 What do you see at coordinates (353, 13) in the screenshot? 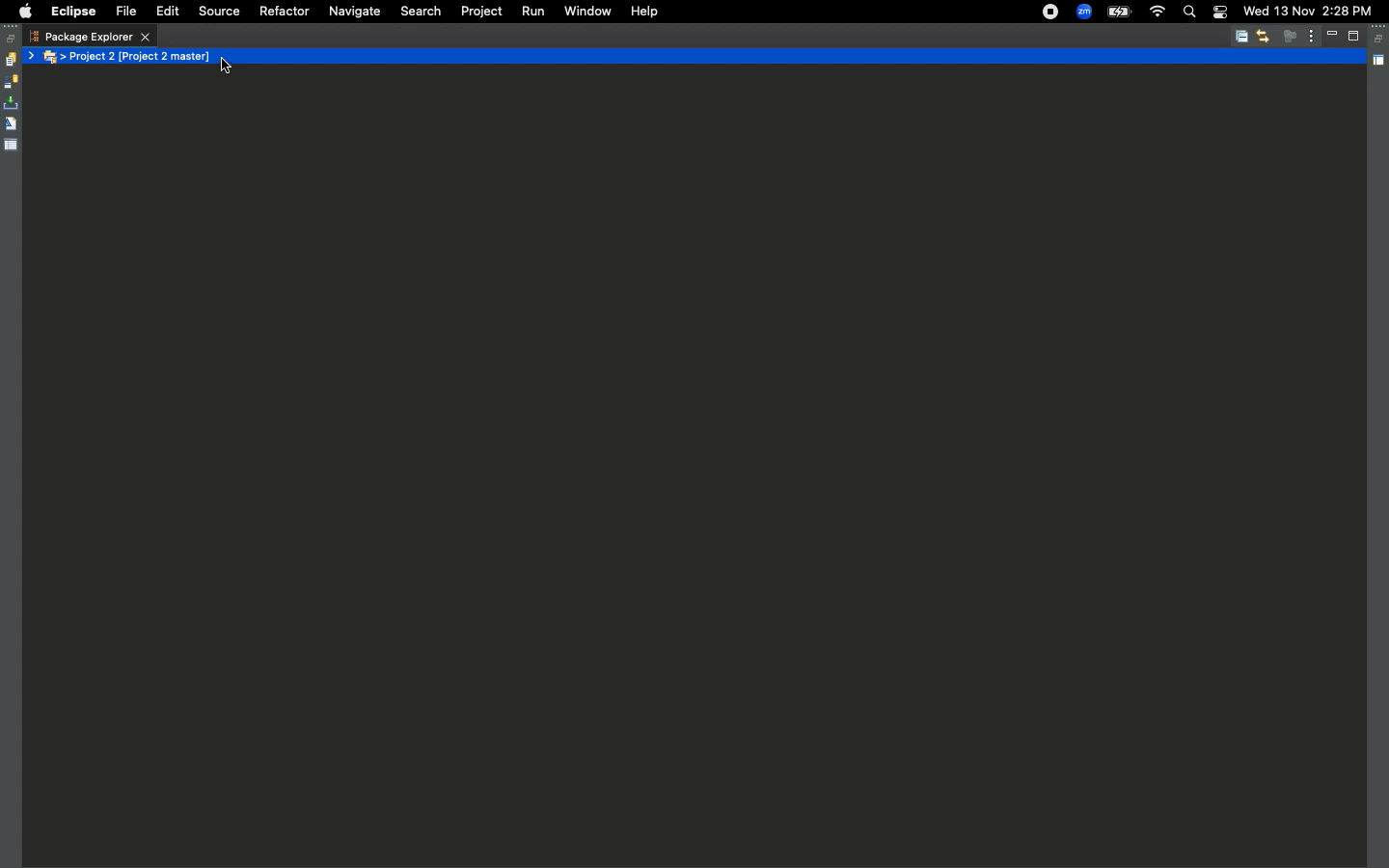
I see `Navigate` at bounding box center [353, 13].